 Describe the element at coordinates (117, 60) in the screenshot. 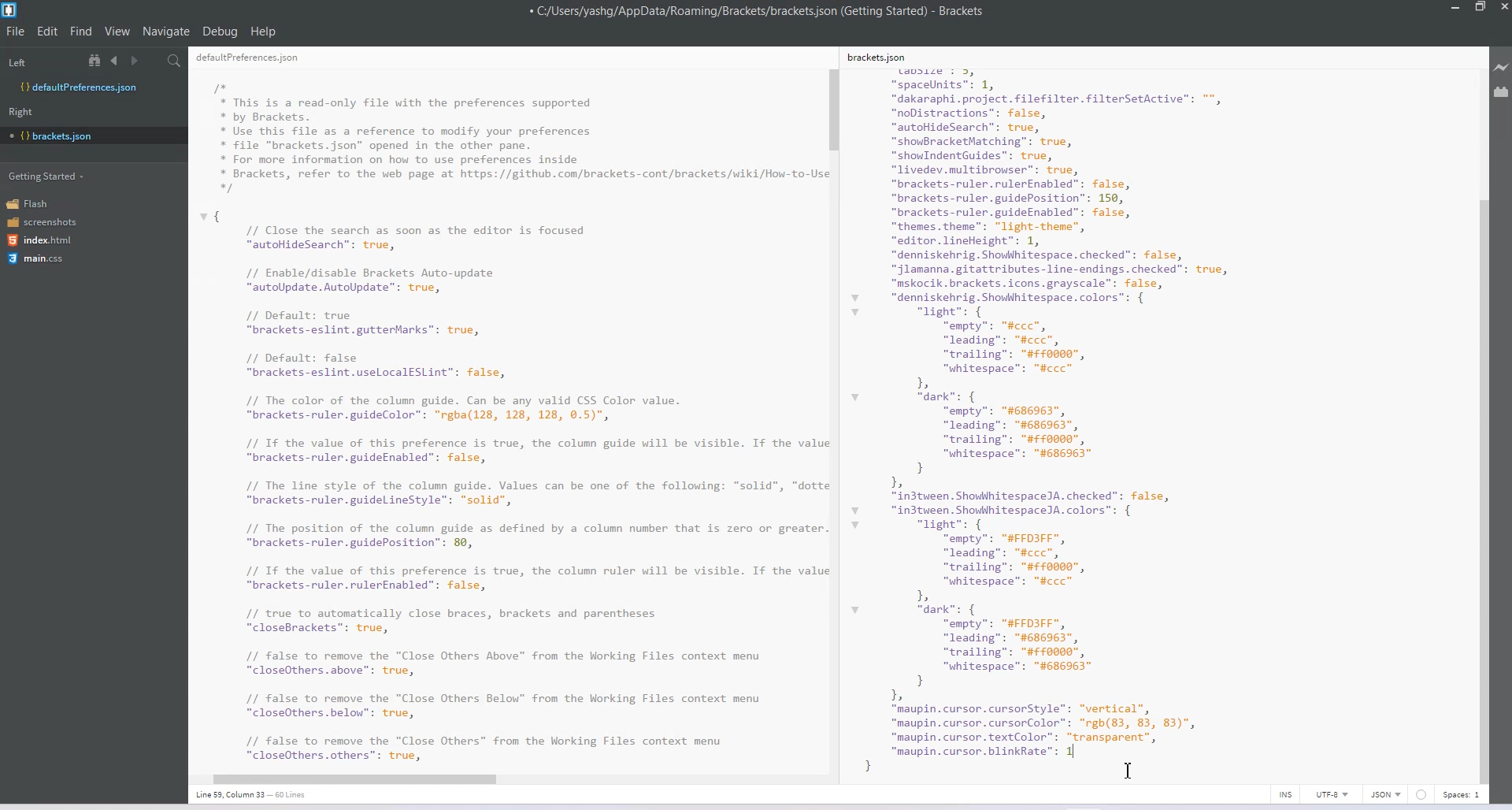

I see `Navigate Backward` at that location.